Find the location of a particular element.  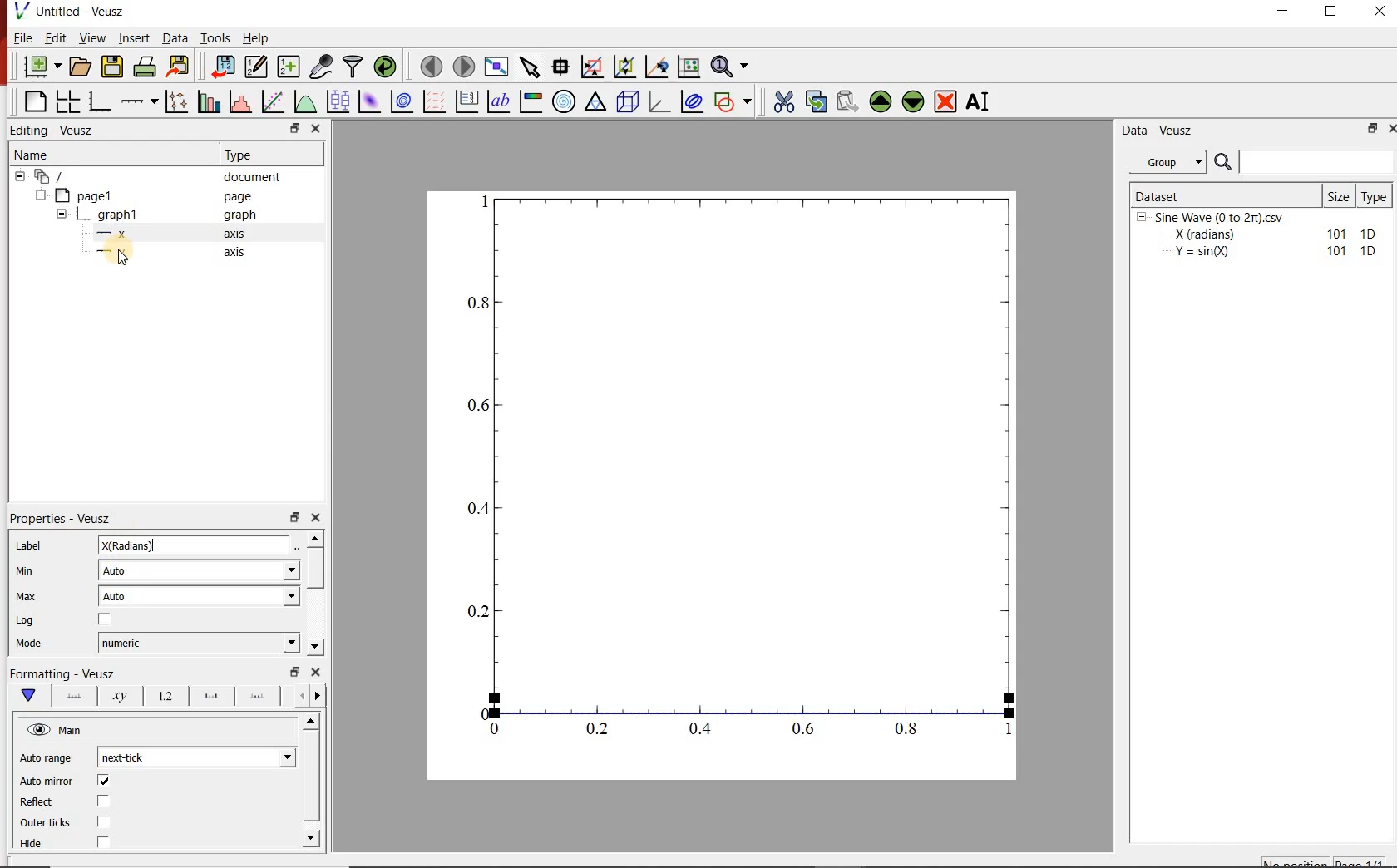

text label is located at coordinates (499, 101).